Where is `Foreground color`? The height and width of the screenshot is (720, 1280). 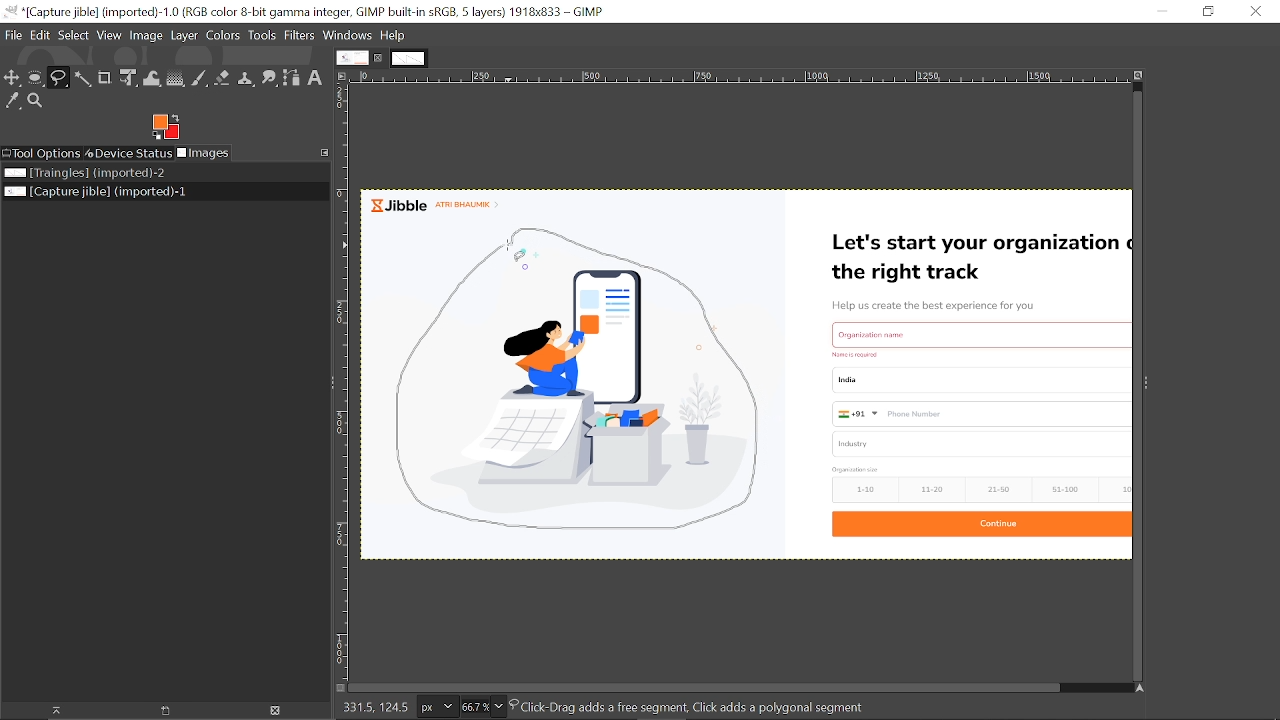
Foreground color is located at coordinates (166, 127).